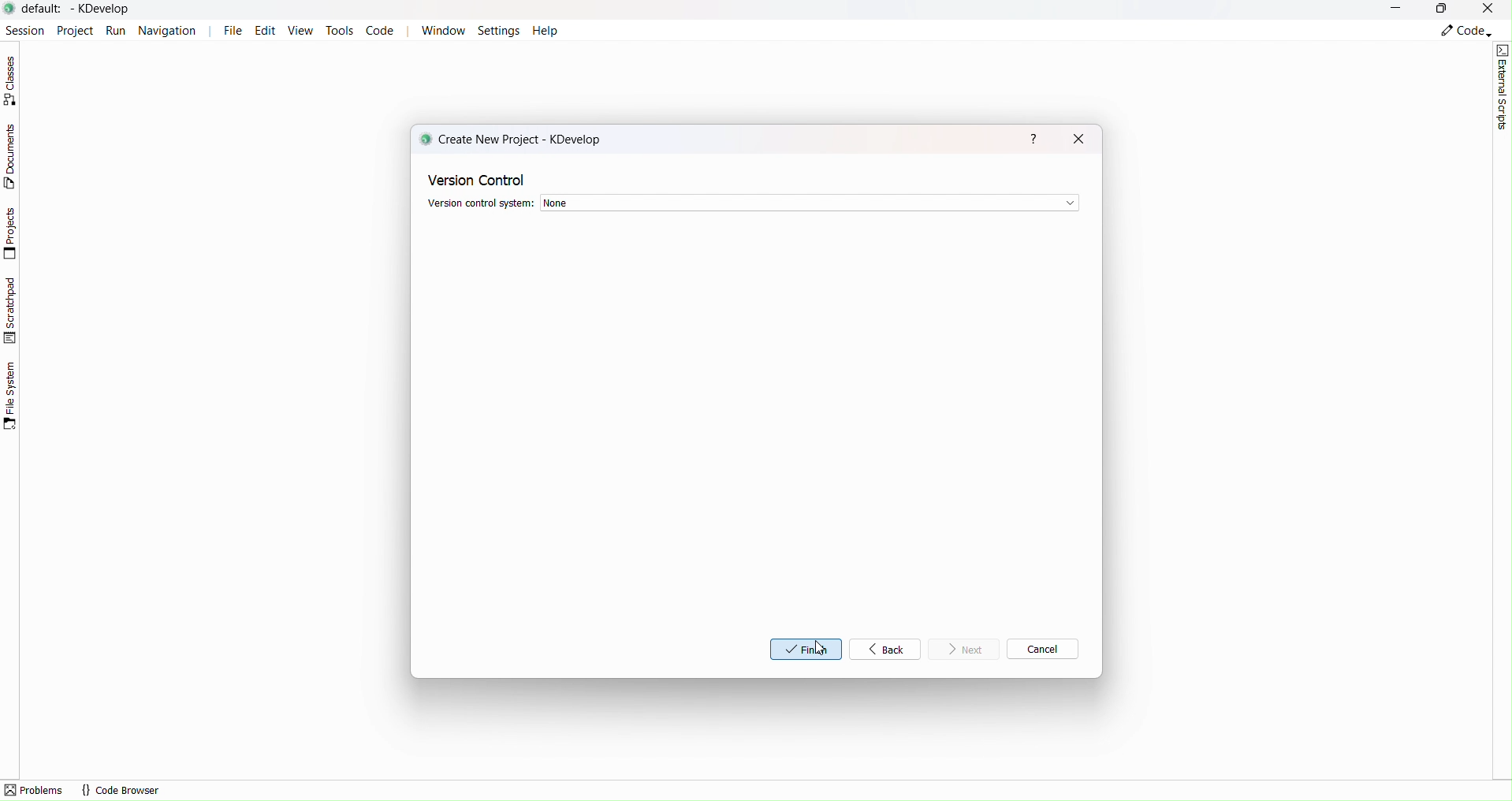  Describe the element at coordinates (545, 30) in the screenshot. I see `Help` at that location.